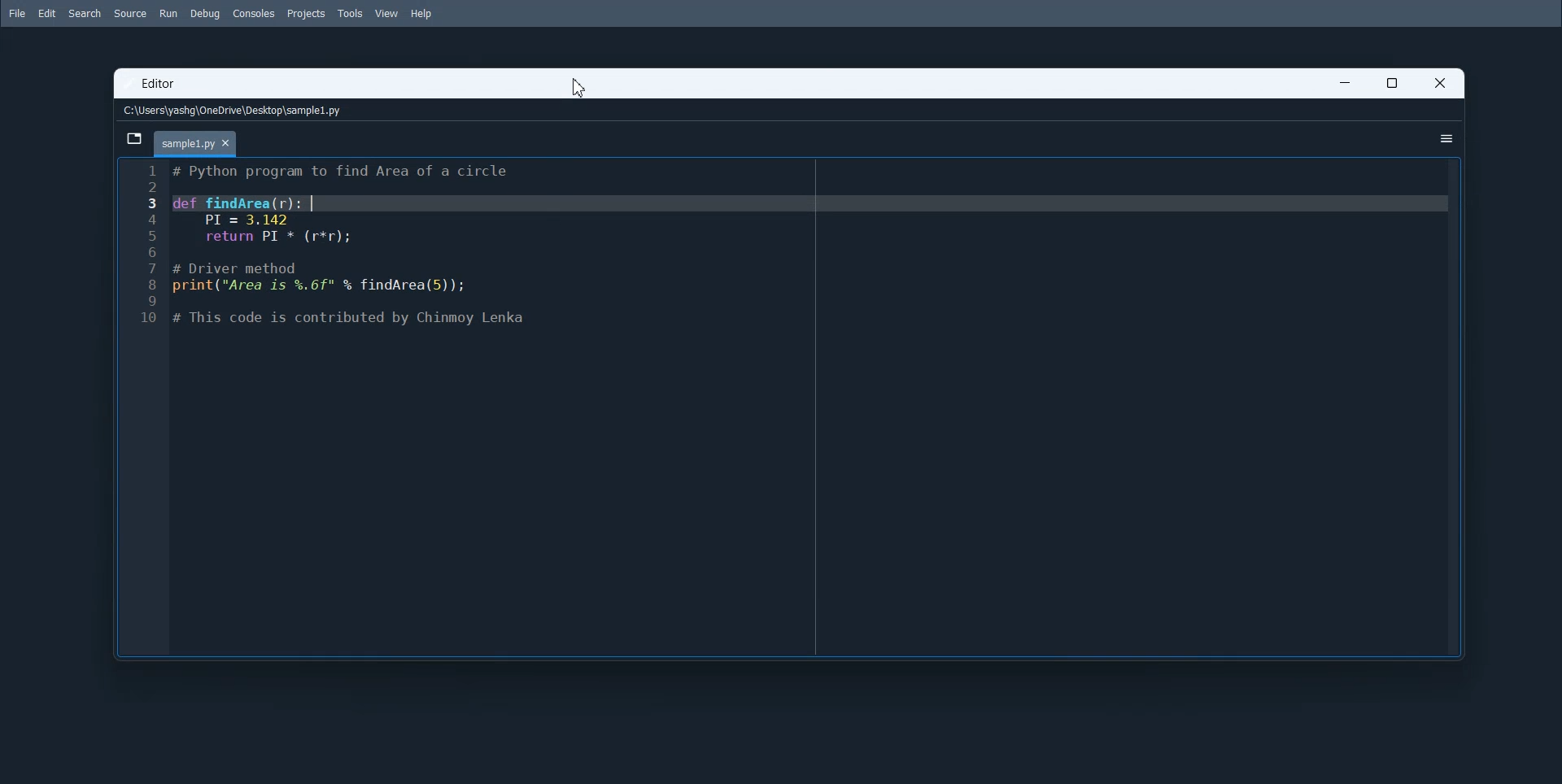  I want to click on Consoles, so click(255, 14).